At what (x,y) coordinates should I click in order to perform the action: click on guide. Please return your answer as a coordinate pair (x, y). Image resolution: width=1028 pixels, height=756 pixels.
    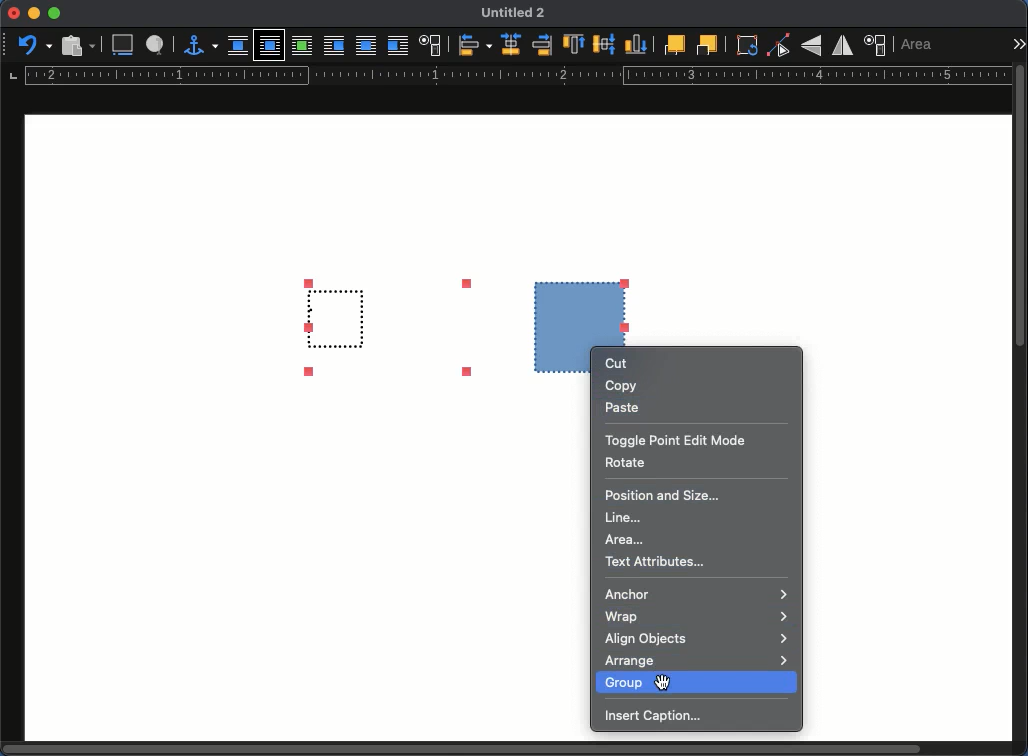
    Looking at the image, I should click on (518, 75).